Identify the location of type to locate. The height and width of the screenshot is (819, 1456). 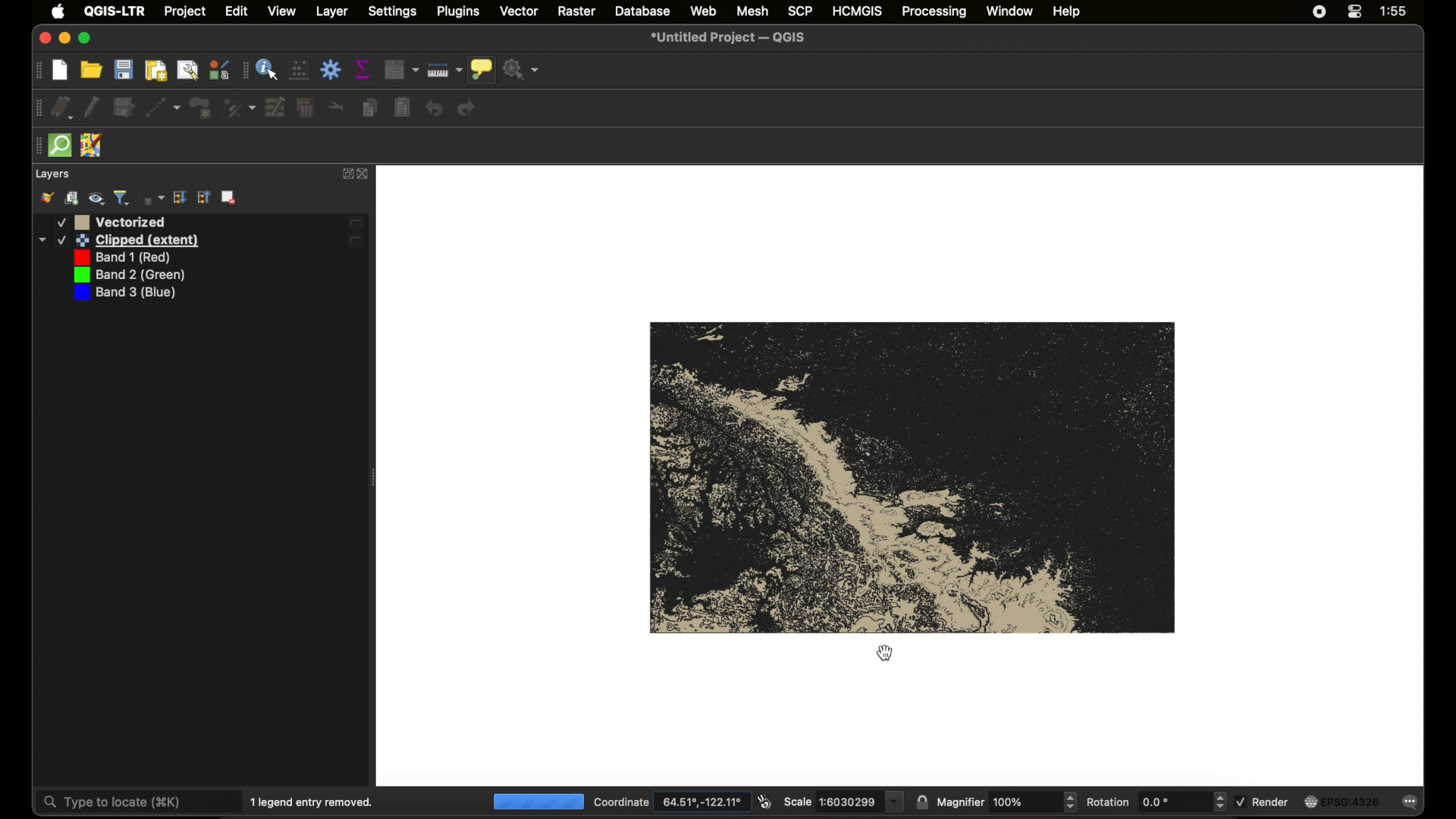
(138, 801).